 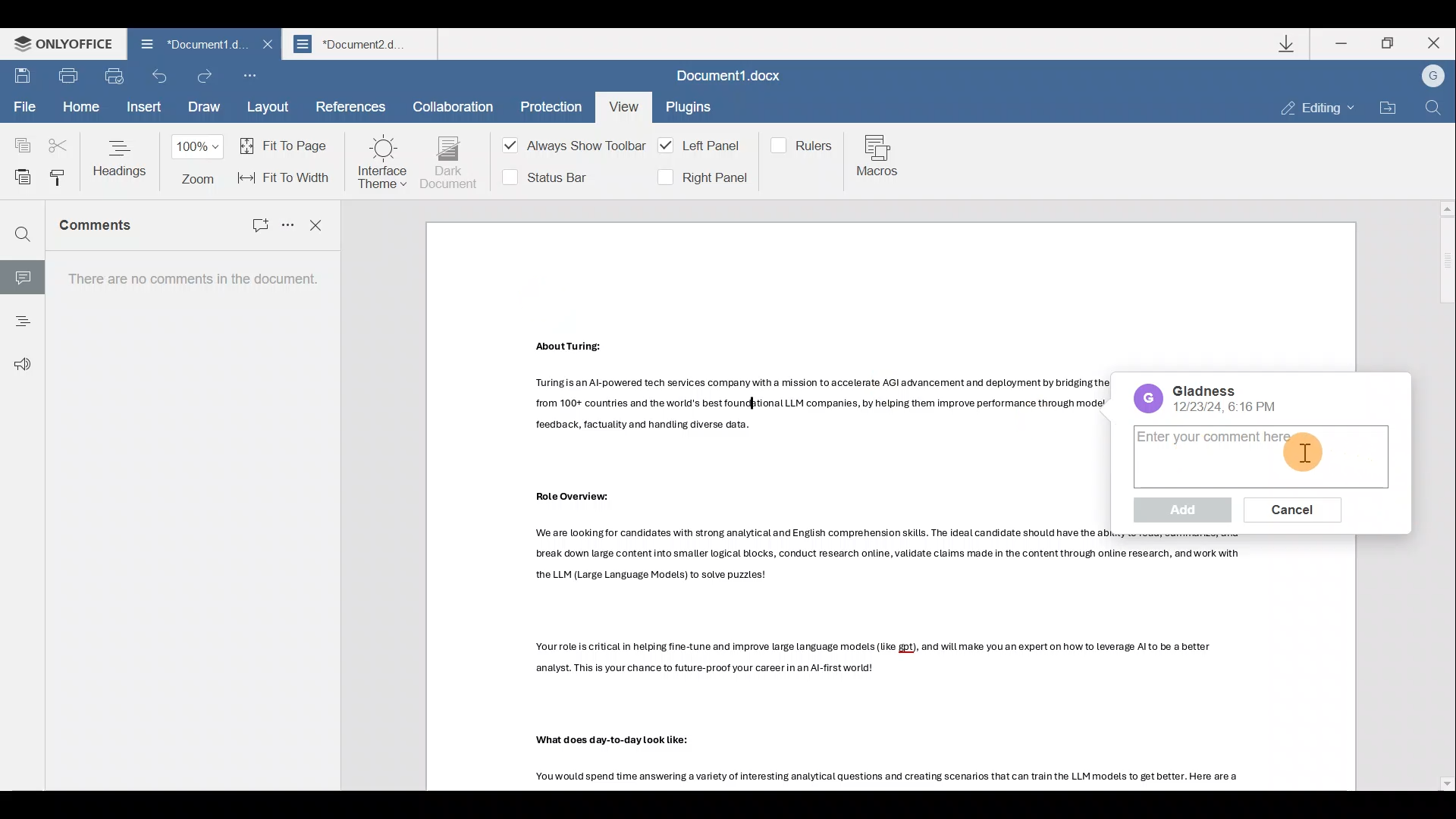 I want to click on Plugins, so click(x=690, y=109).